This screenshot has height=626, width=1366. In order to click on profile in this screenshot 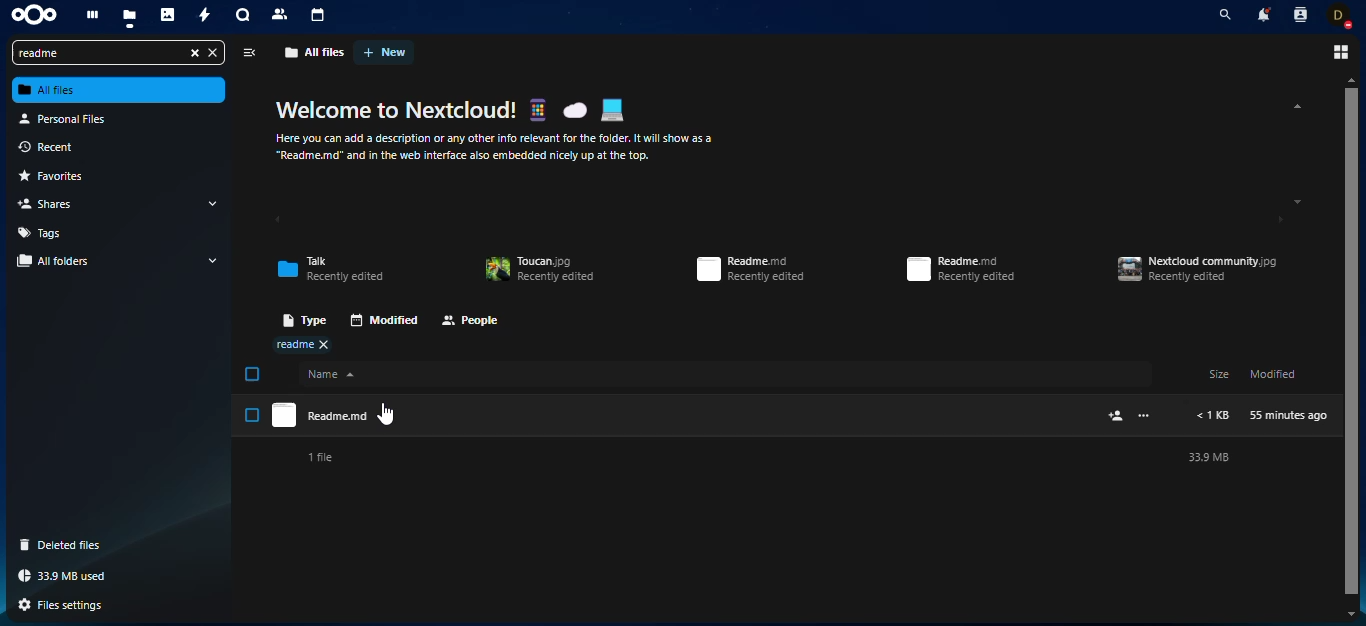, I will do `click(1341, 15)`.